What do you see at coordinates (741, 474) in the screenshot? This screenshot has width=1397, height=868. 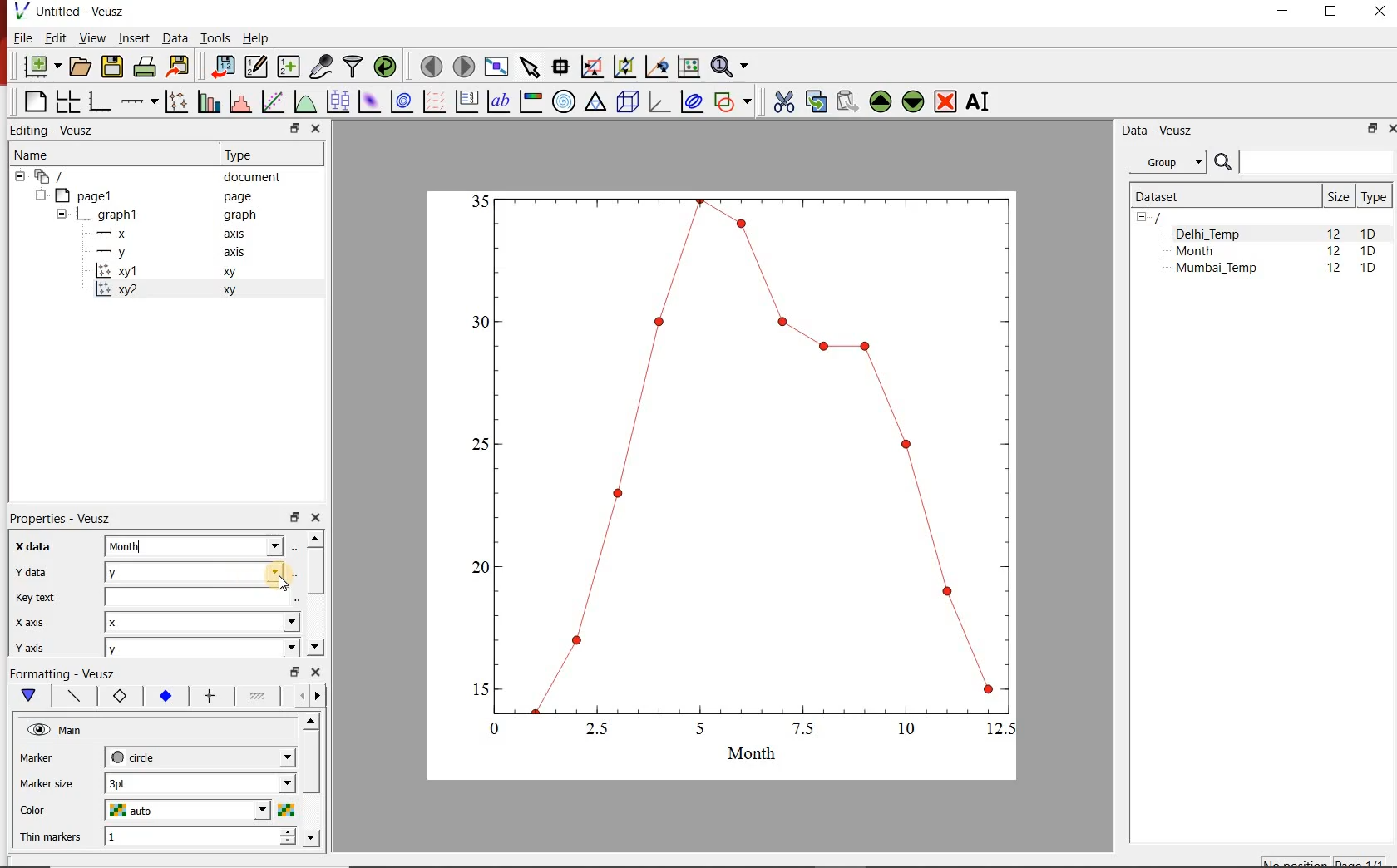 I see `graph1` at bounding box center [741, 474].